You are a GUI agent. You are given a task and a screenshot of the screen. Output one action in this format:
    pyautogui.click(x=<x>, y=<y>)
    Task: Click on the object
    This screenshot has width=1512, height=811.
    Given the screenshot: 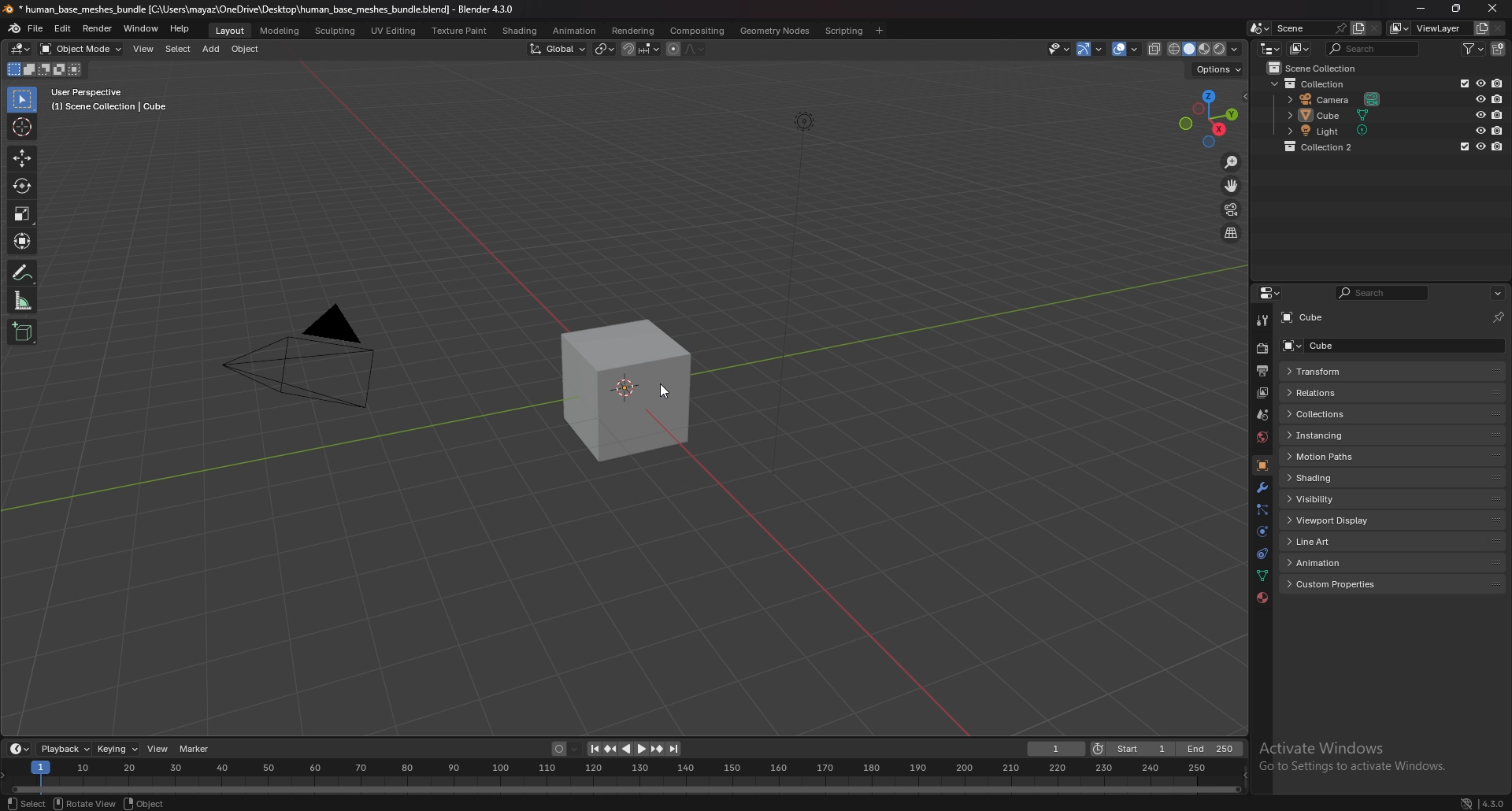 What is the action you would take?
    pyautogui.click(x=146, y=802)
    